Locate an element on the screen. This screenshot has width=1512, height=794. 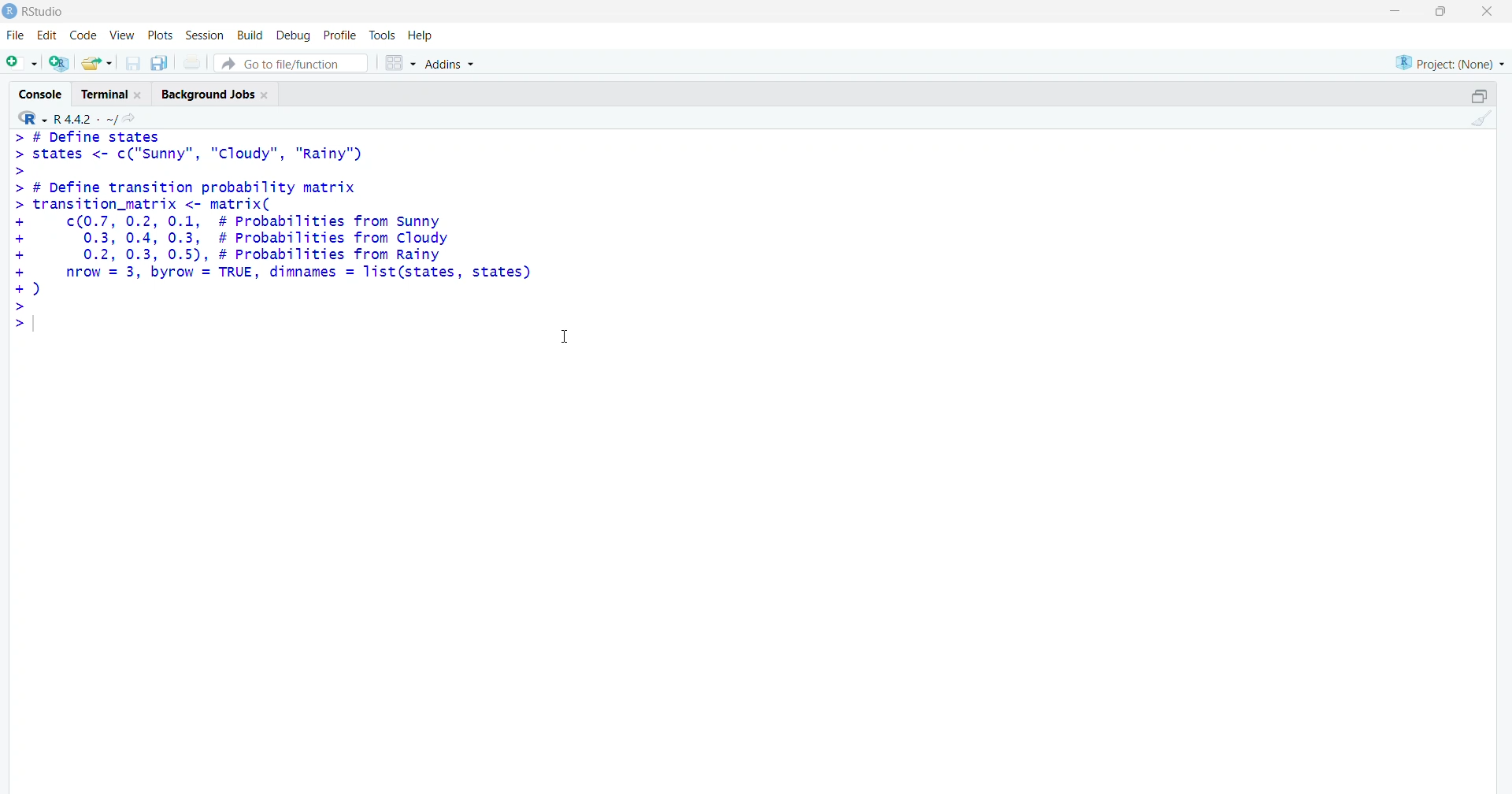
addins is located at coordinates (453, 64).